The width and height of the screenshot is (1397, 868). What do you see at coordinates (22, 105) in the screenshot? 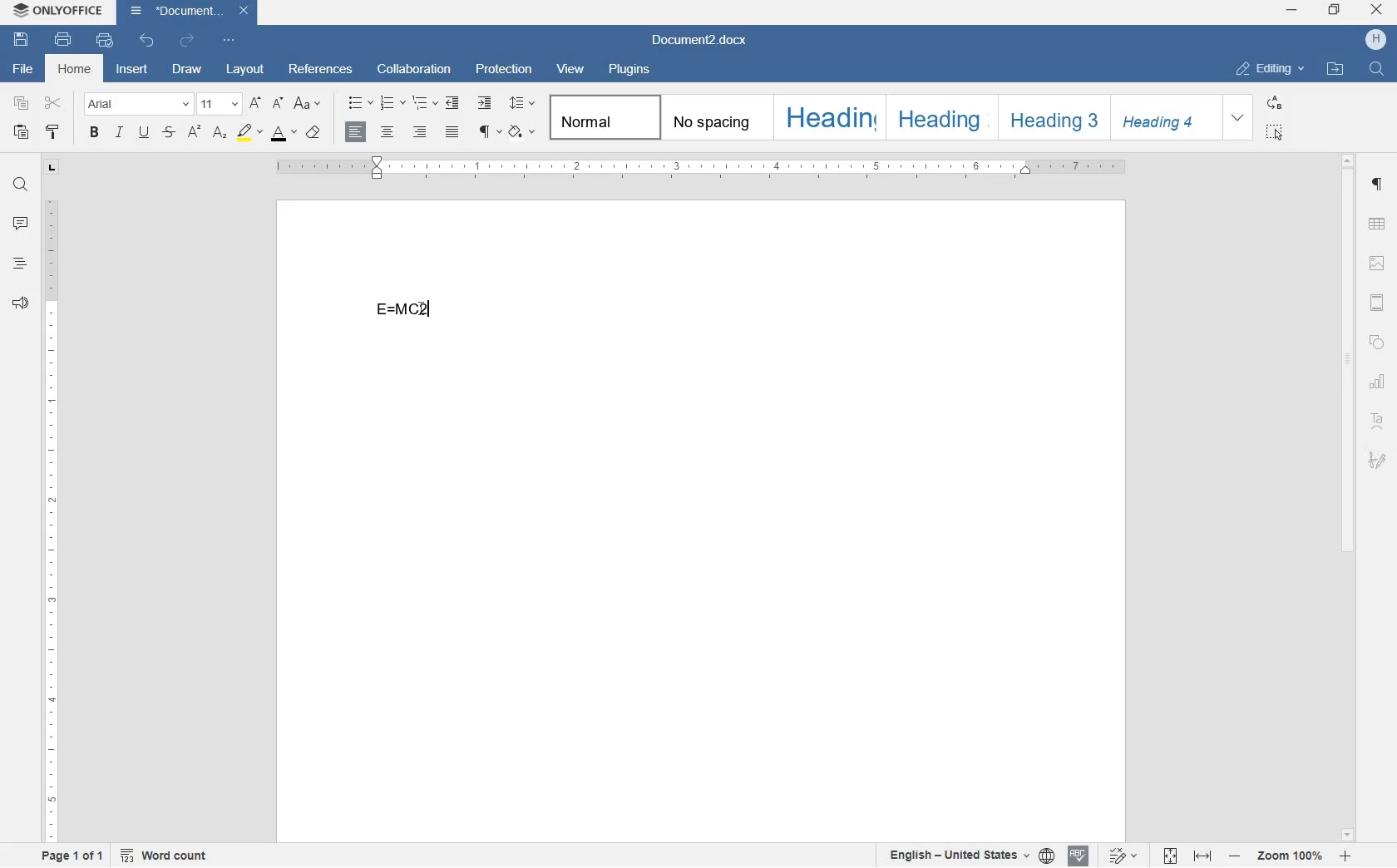
I see `copy` at bounding box center [22, 105].